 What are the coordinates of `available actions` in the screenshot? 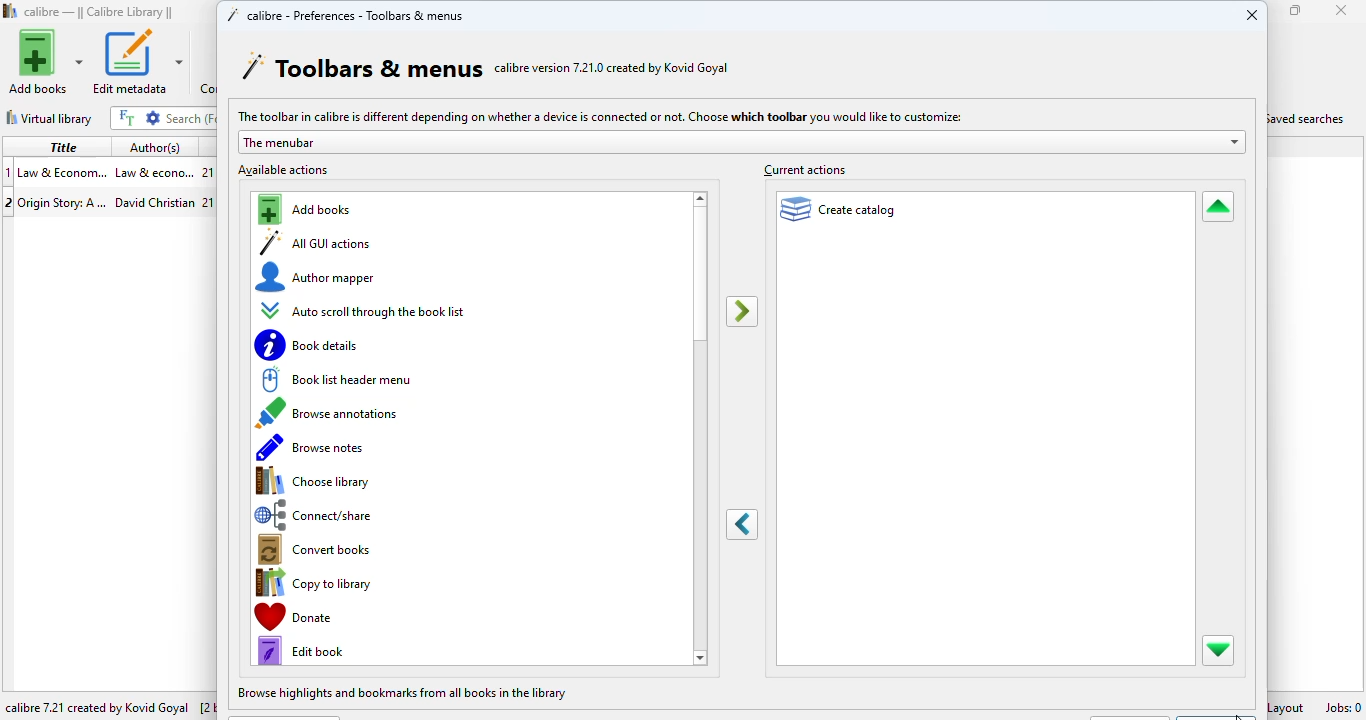 It's located at (284, 170).